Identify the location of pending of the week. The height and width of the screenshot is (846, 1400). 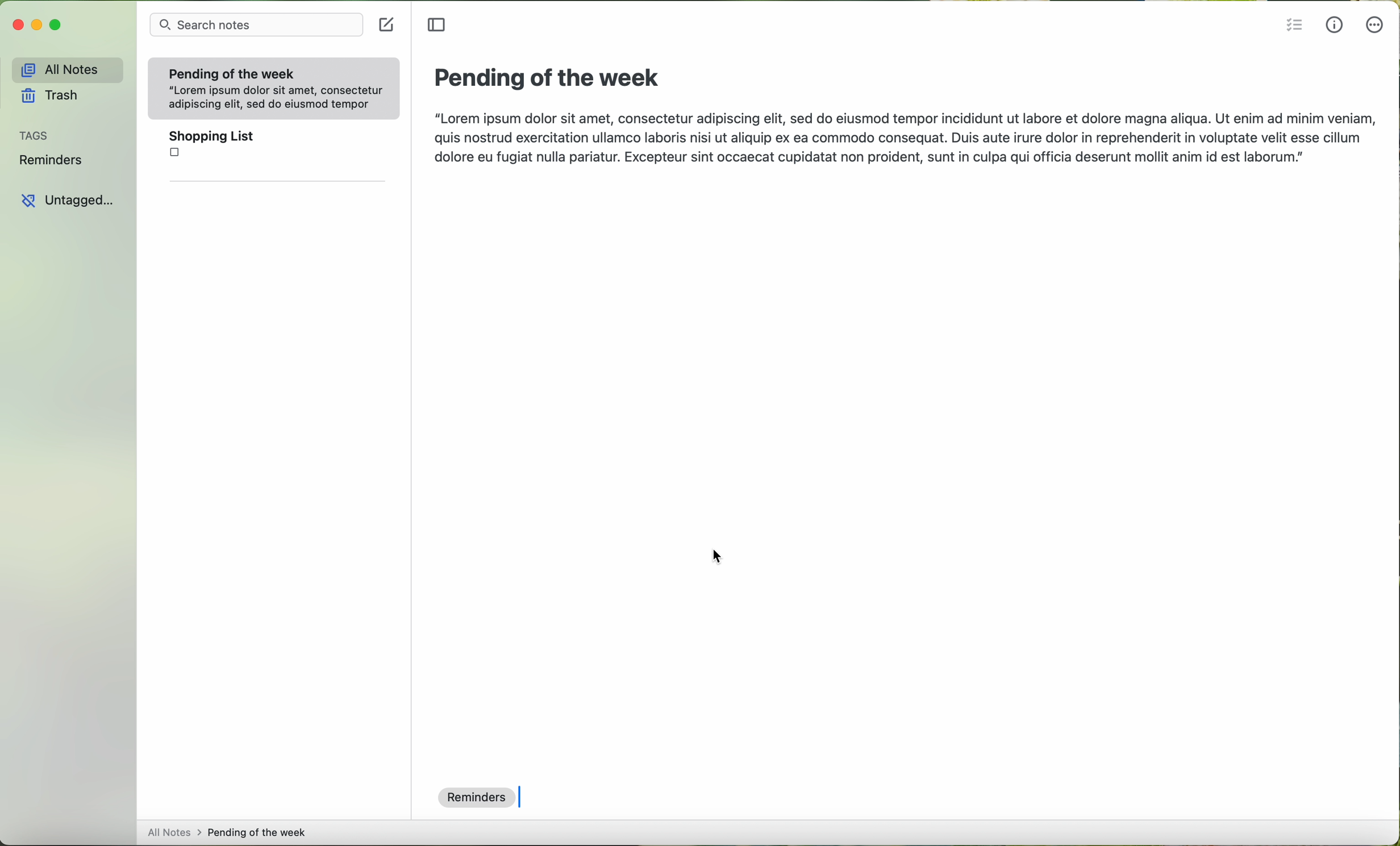
(546, 78).